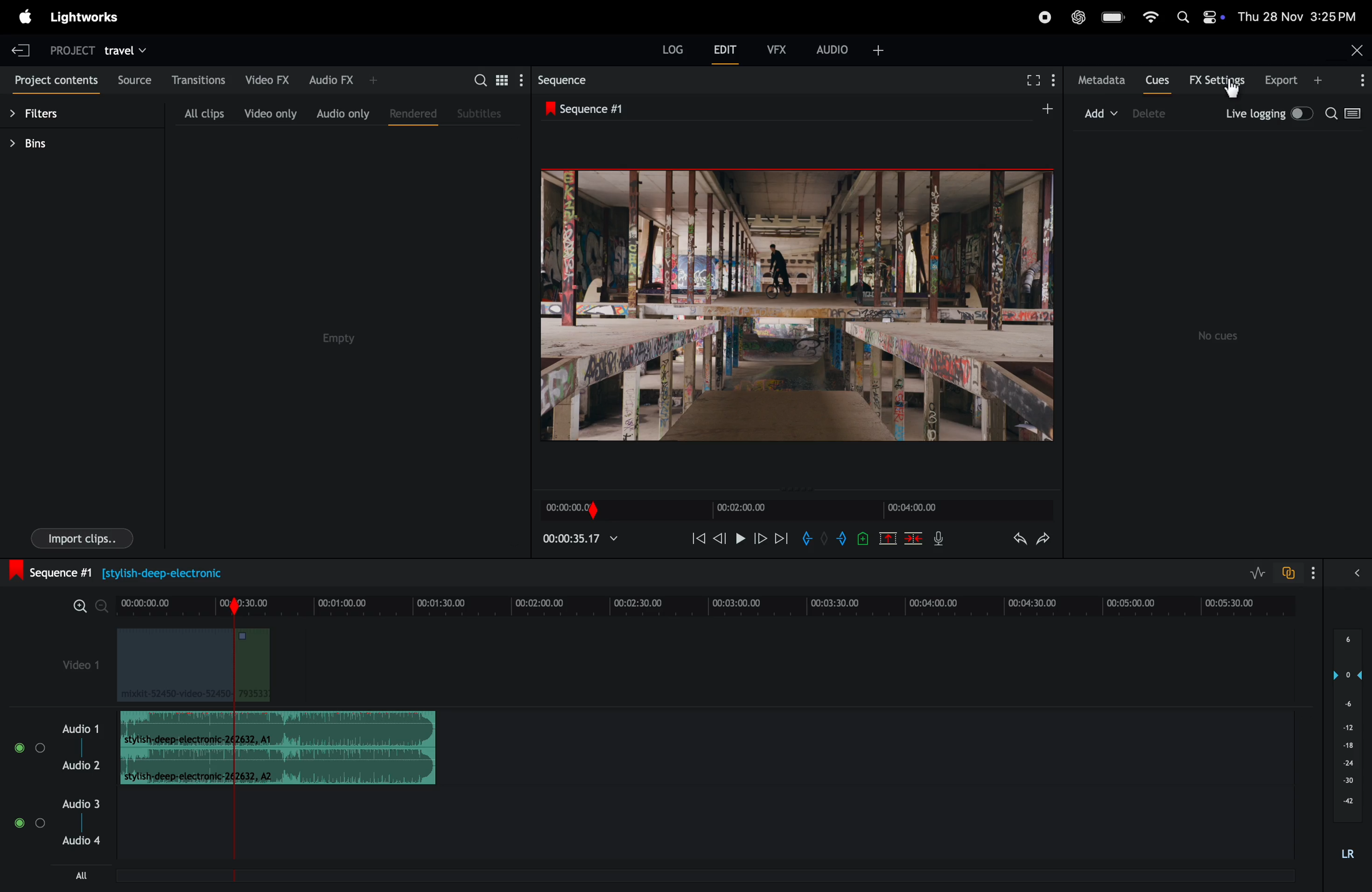 The height and width of the screenshot is (892, 1372). I want to click on live logging, so click(1270, 114).